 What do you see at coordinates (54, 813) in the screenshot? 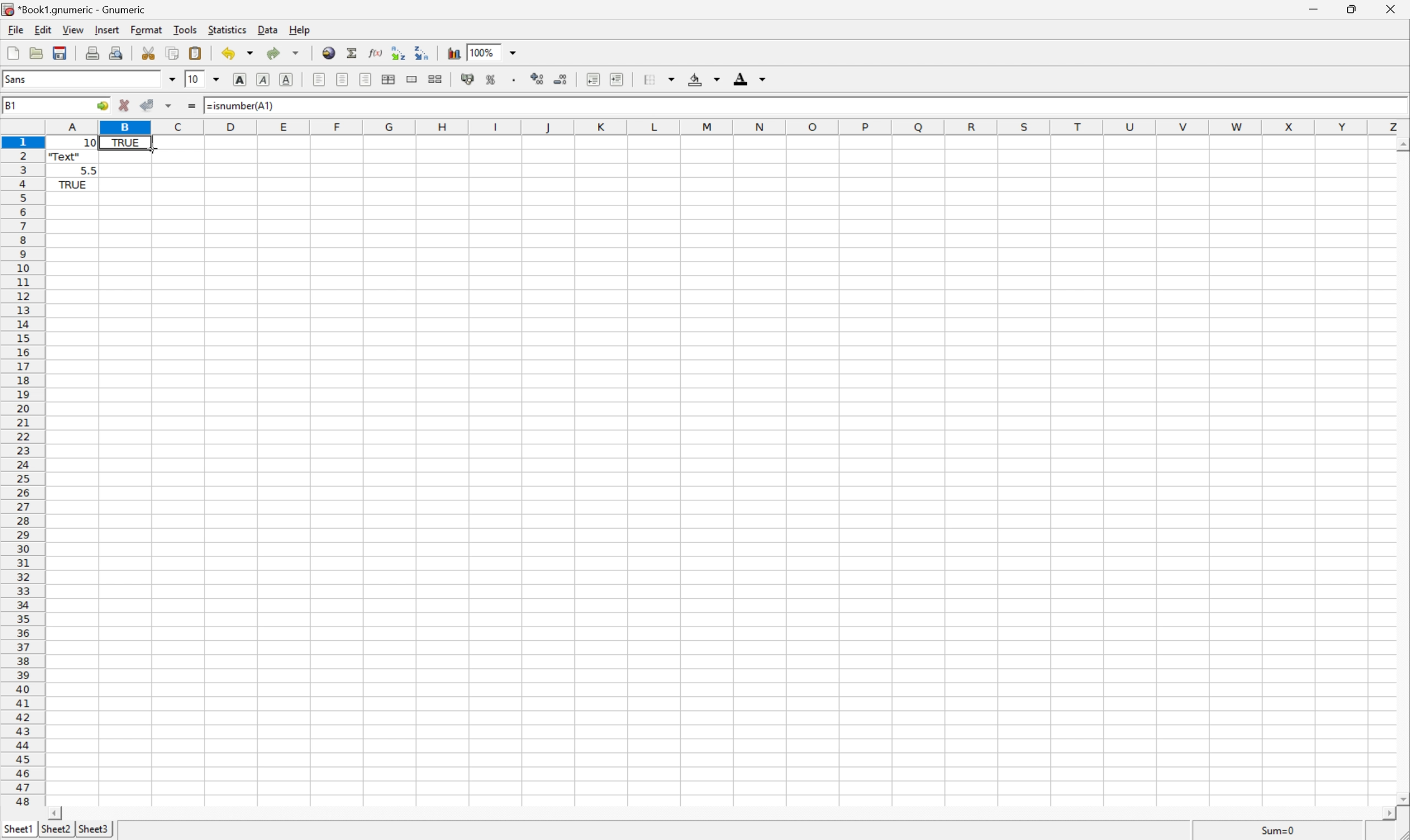
I see `Scroll Left` at bounding box center [54, 813].